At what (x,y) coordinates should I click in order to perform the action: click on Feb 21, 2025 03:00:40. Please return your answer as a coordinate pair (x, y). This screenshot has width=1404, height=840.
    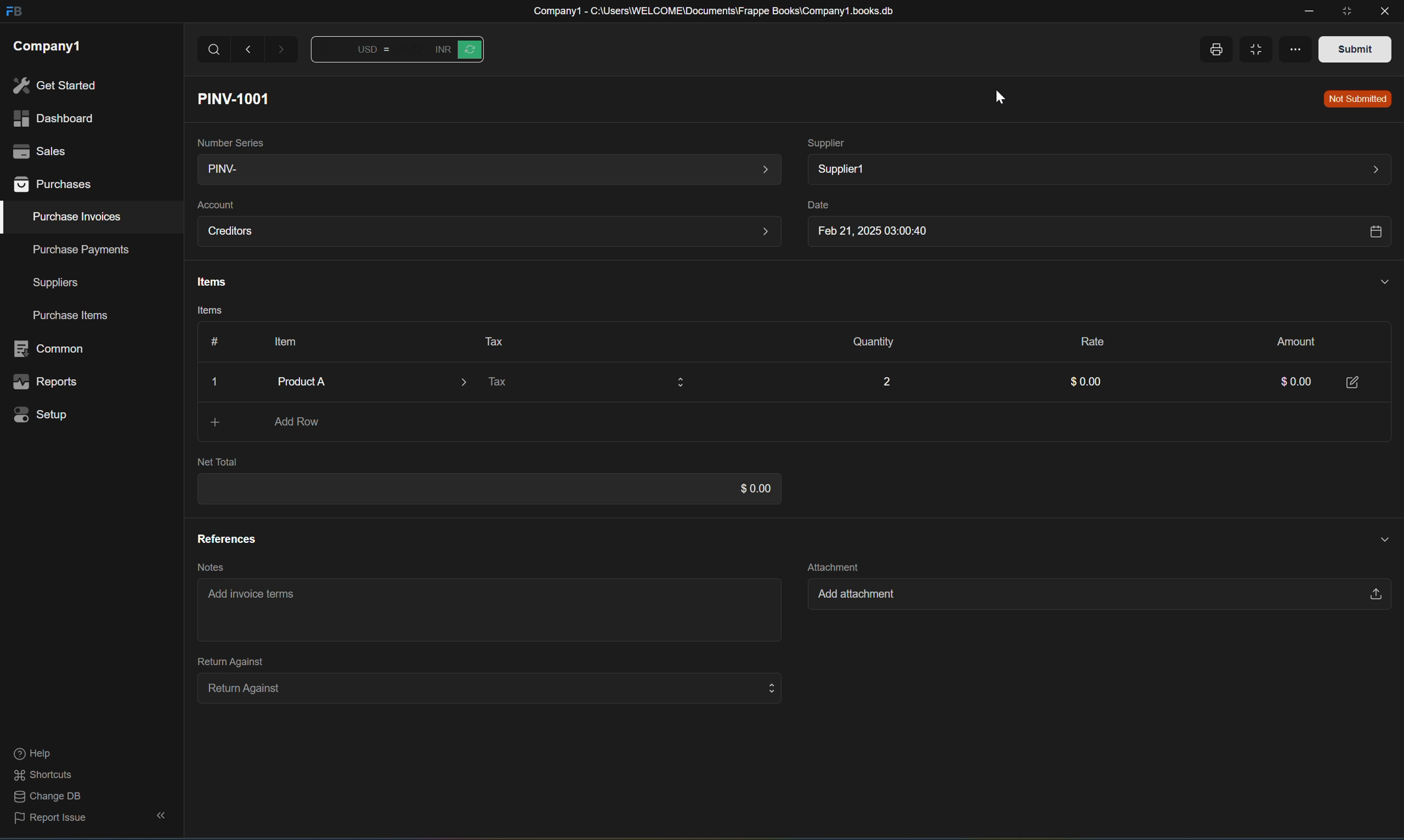
    Looking at the image, I should click on (1095, 233).